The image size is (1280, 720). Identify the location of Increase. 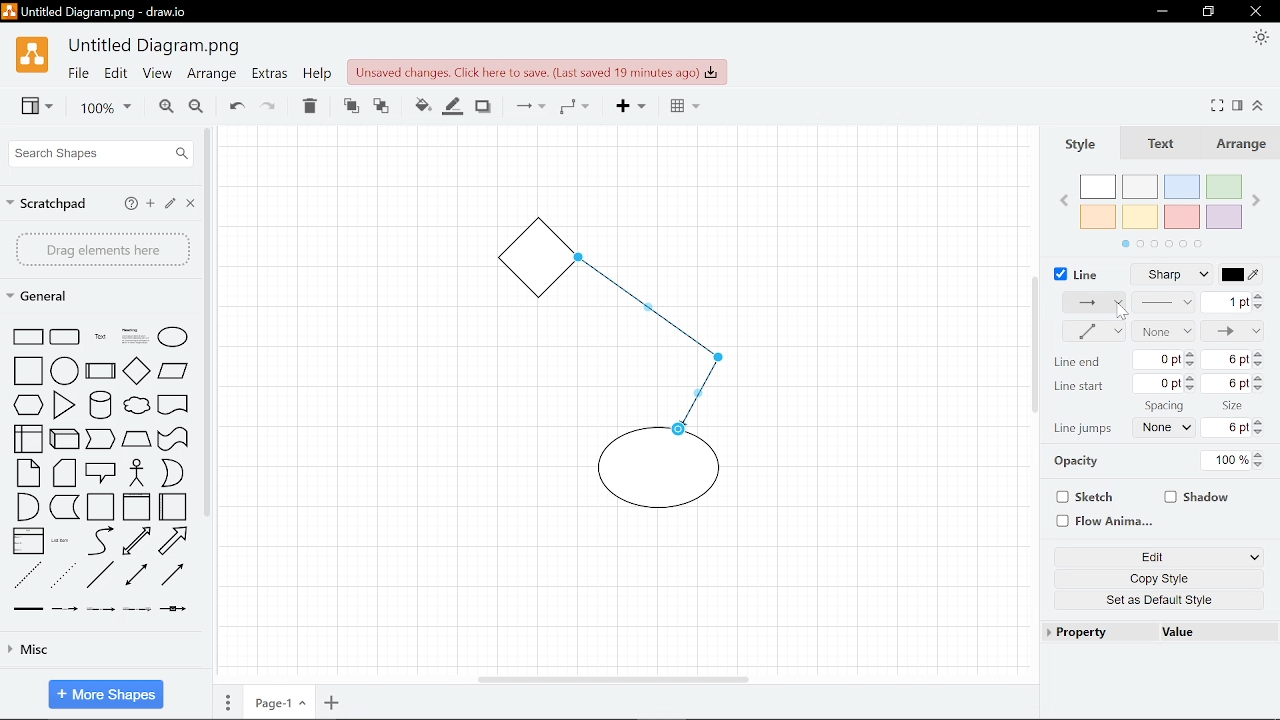
(1258, 355).